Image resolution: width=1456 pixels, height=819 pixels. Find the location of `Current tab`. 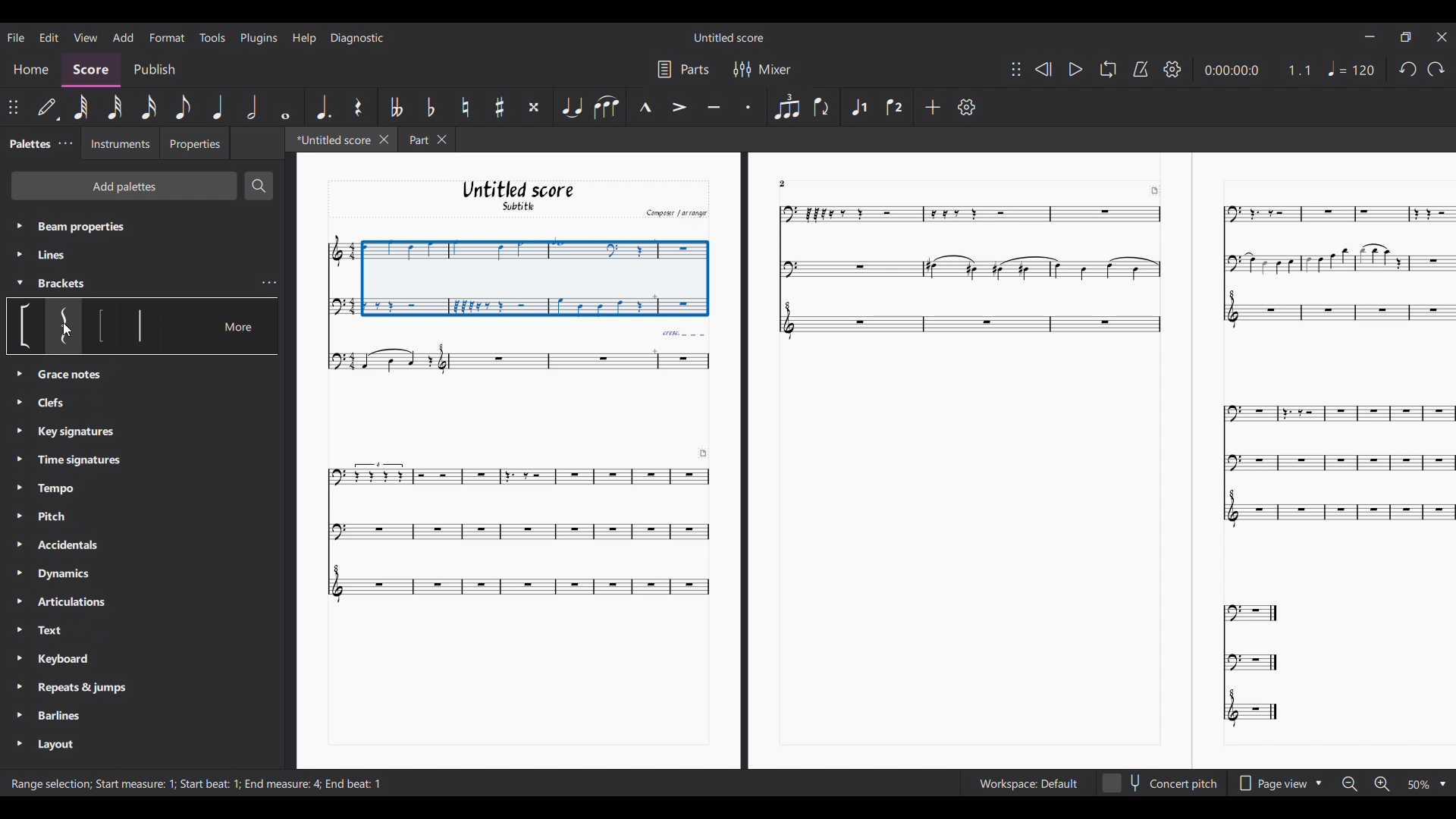

Current tab is located at coordinates (331, 139).